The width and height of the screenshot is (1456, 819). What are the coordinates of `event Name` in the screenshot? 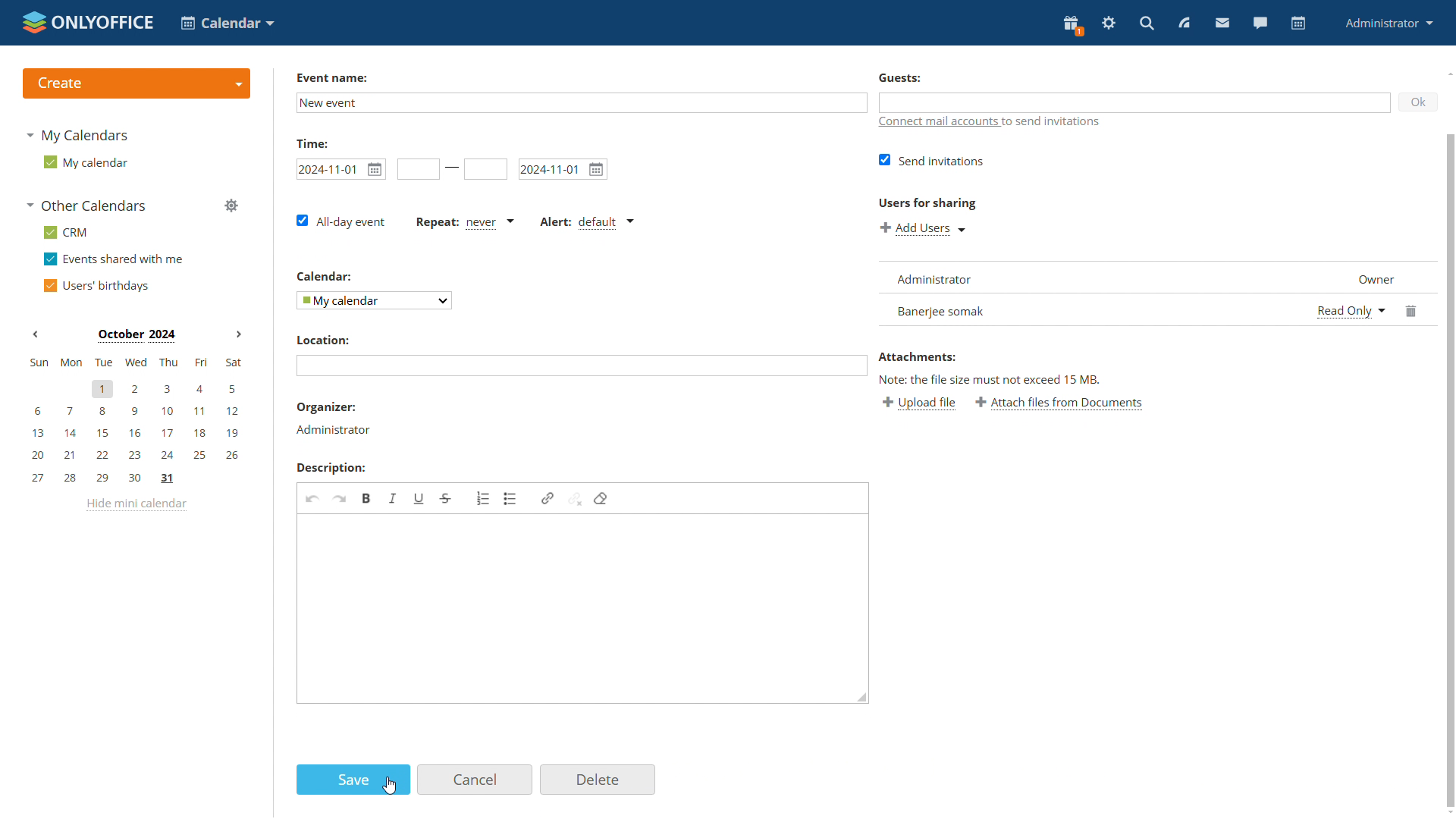 It's located at (334, 77).